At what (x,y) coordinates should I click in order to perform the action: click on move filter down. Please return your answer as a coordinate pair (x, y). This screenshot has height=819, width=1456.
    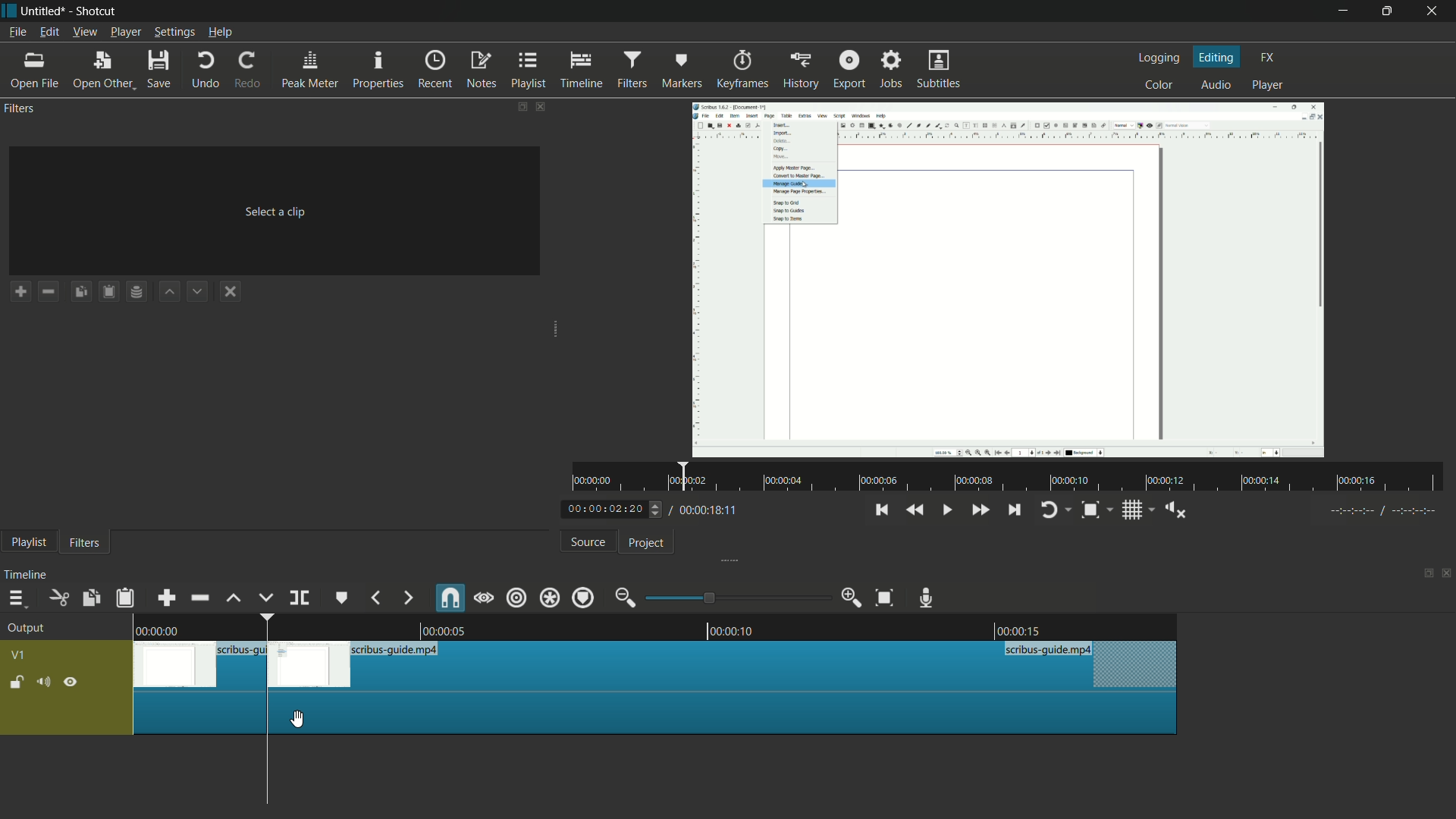
    Looking at the image, I should click on (199, 291).